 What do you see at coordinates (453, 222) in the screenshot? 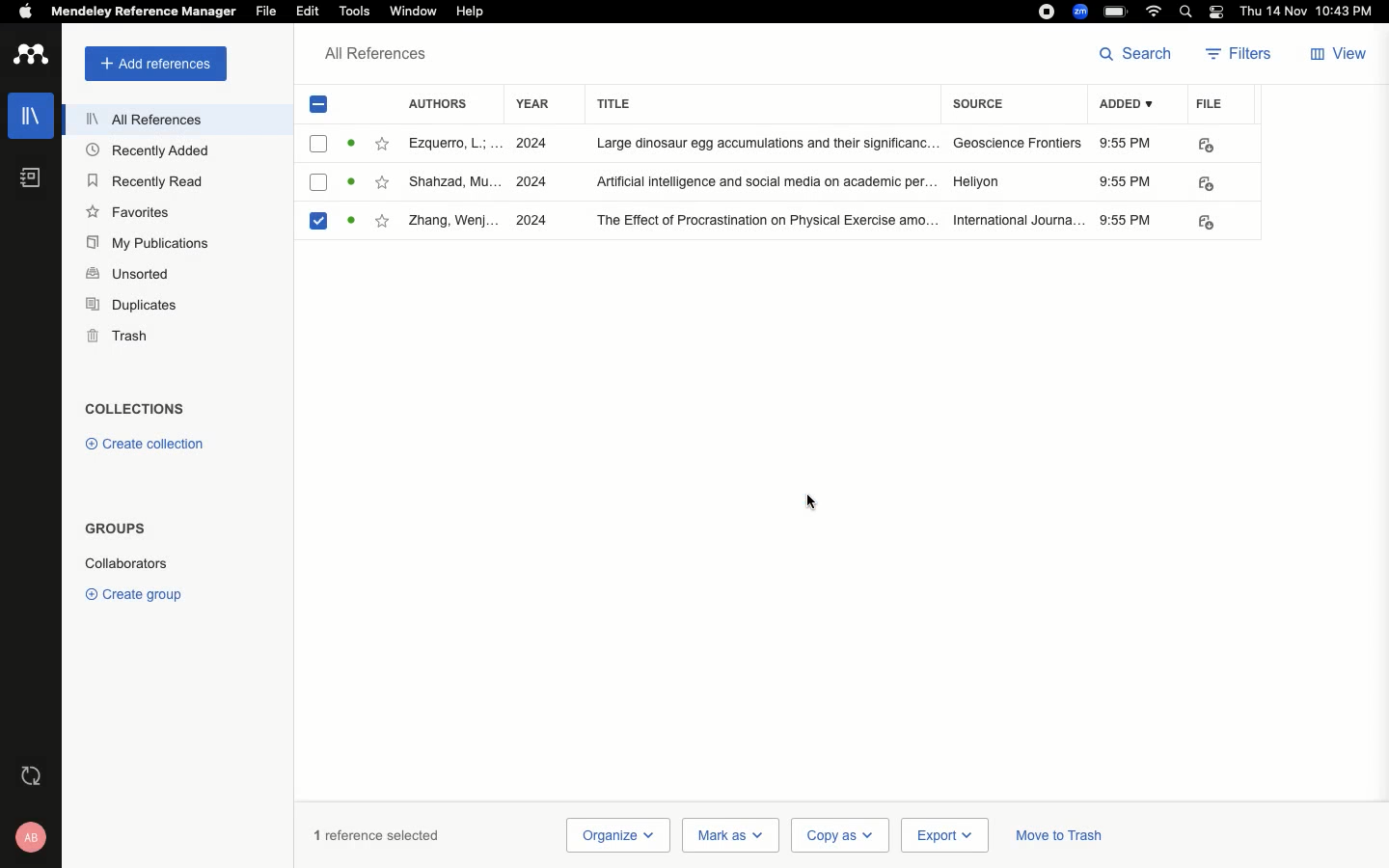
I see `Zhang` at bounding box center [453, 222].